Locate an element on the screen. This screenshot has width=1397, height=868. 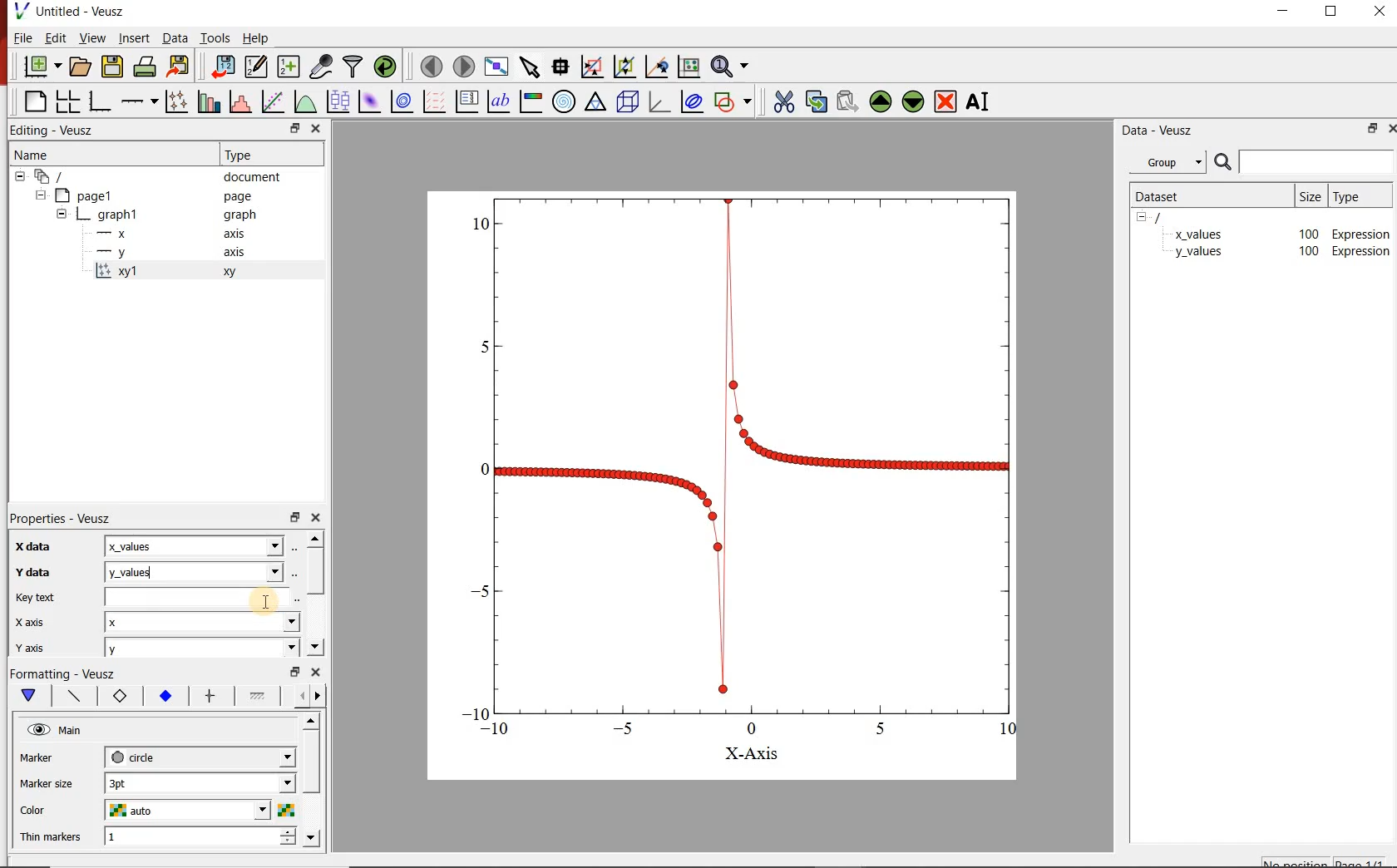
hide is located at coordinates (40, 195).